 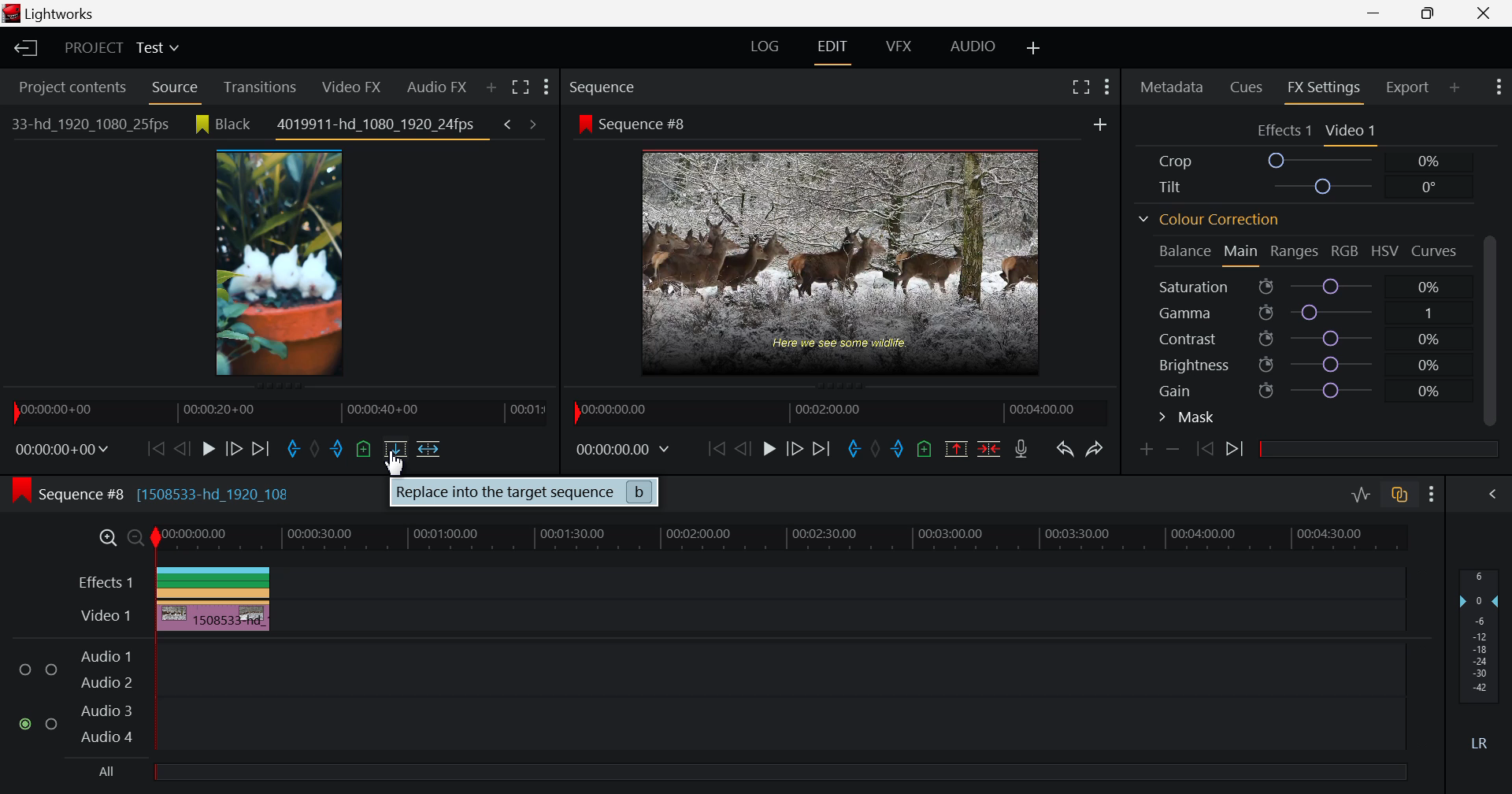 I want to click on Mask, so click(x=1189, y=417).